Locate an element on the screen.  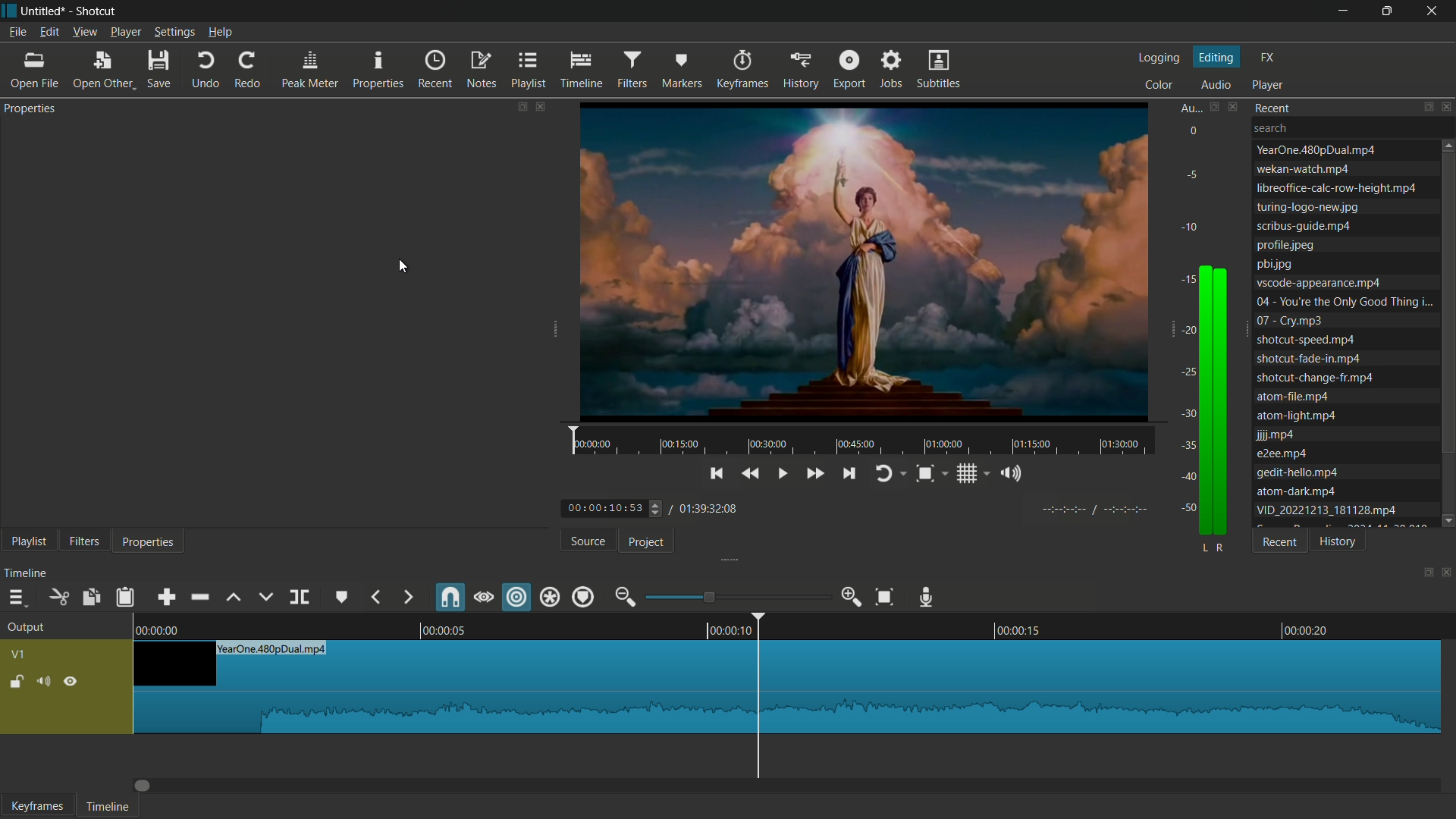
zoom in is located at coordinates (853, 598).